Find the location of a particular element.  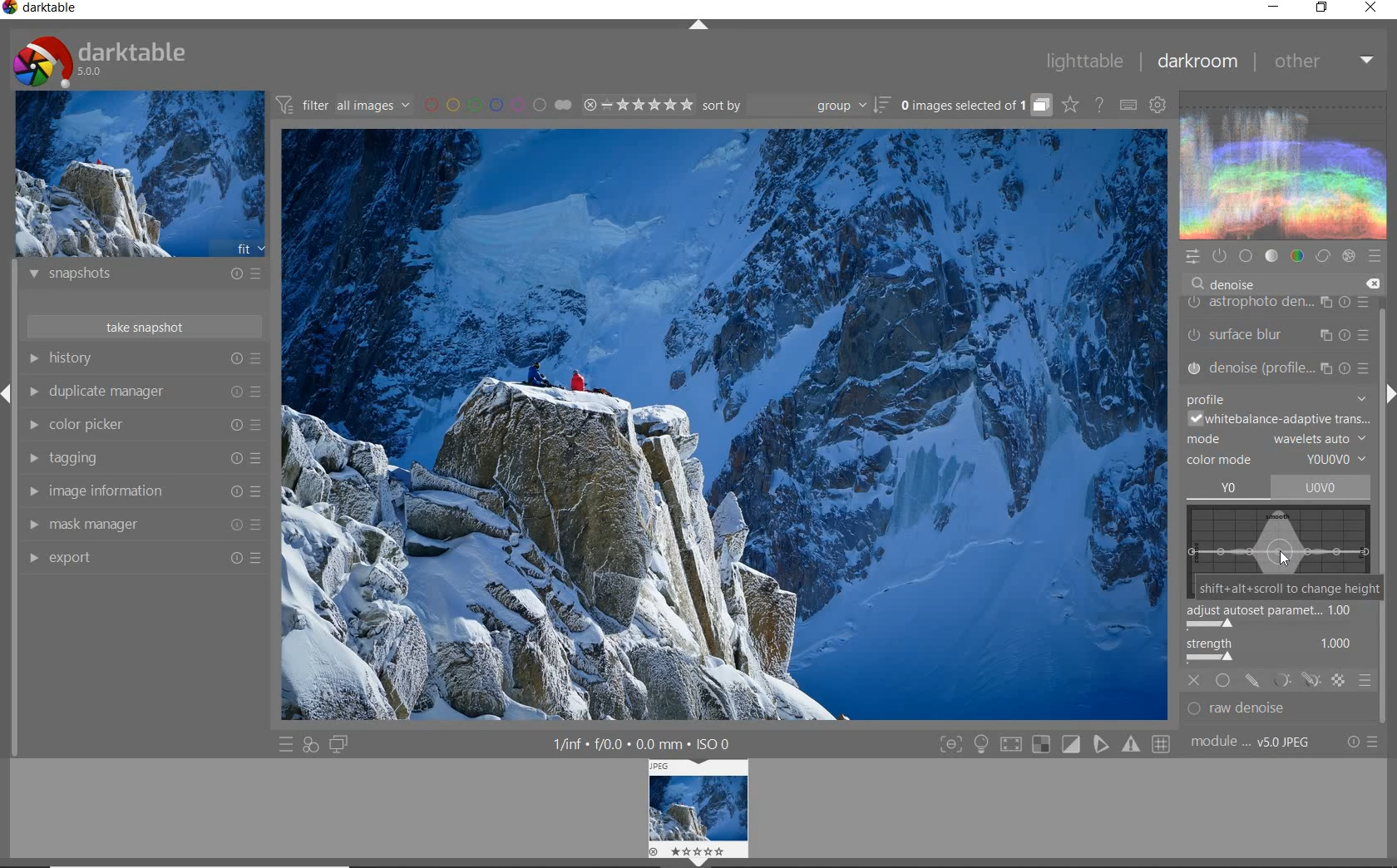

SHIFT+ALT+SCROLL TO CHANGE HEIGHT is located at coordinates (1289, 588).